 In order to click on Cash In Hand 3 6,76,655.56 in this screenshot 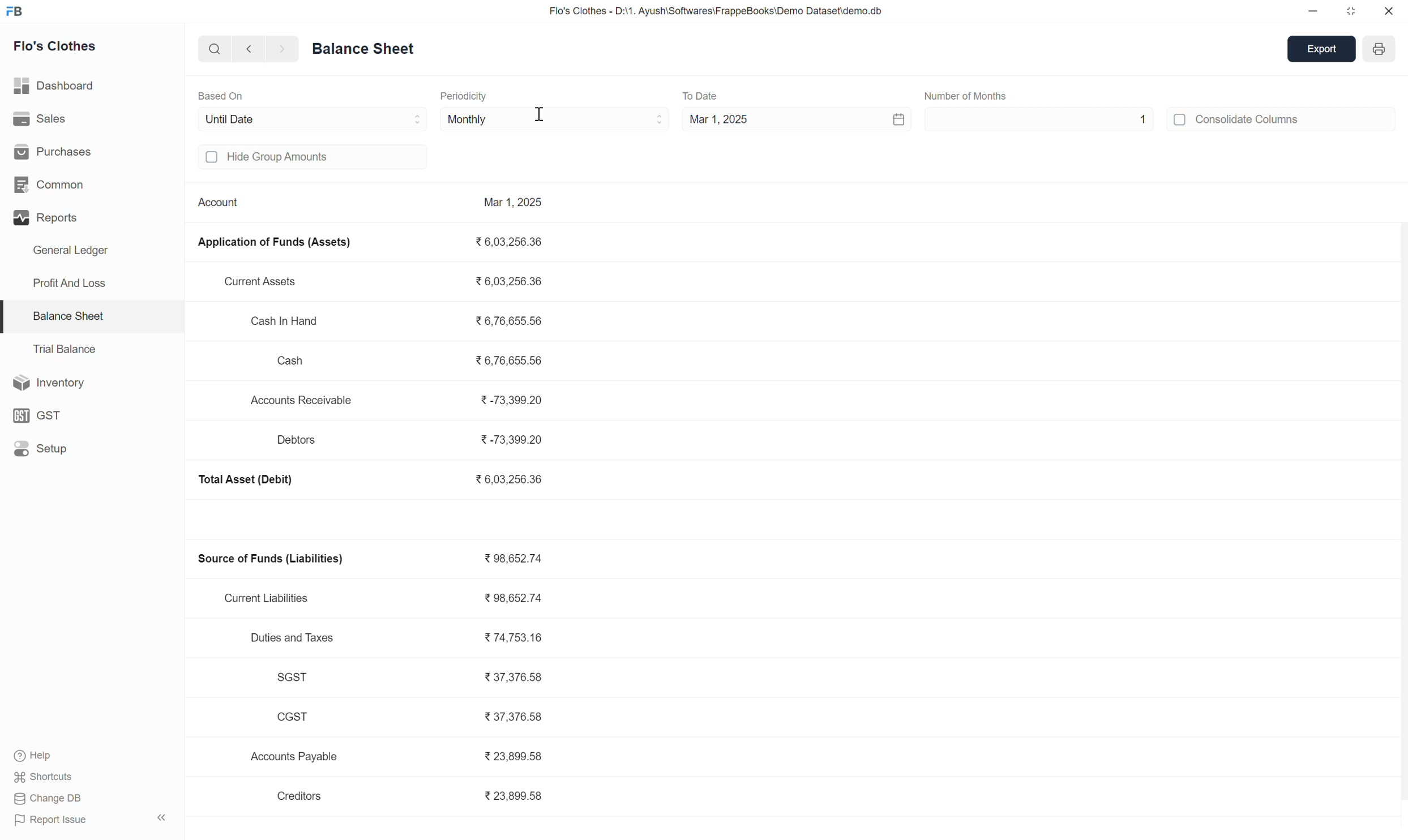, I will do `click(397, 320)`.